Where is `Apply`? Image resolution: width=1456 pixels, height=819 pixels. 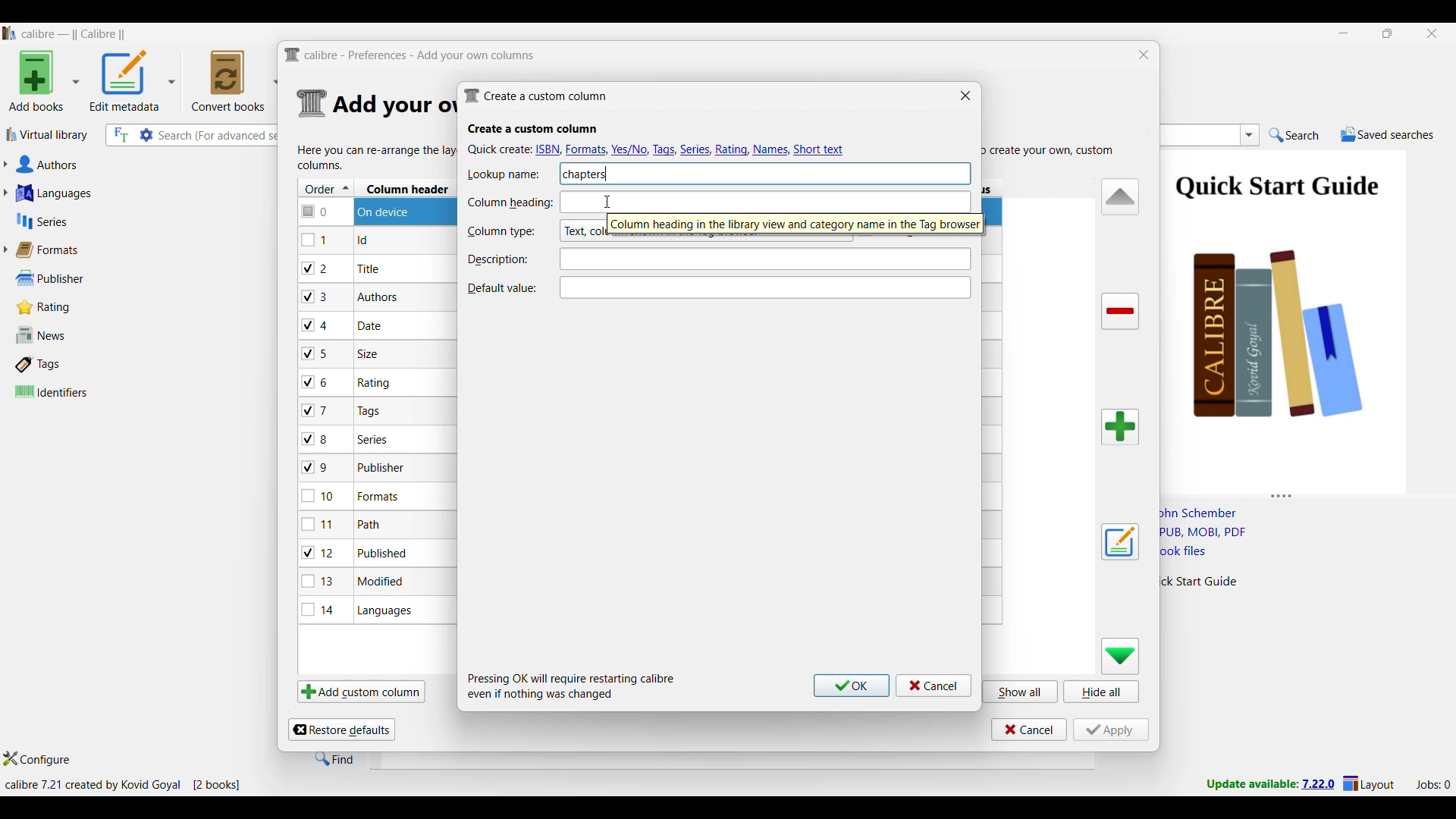
Apply is located at coordinates (1111, 730).